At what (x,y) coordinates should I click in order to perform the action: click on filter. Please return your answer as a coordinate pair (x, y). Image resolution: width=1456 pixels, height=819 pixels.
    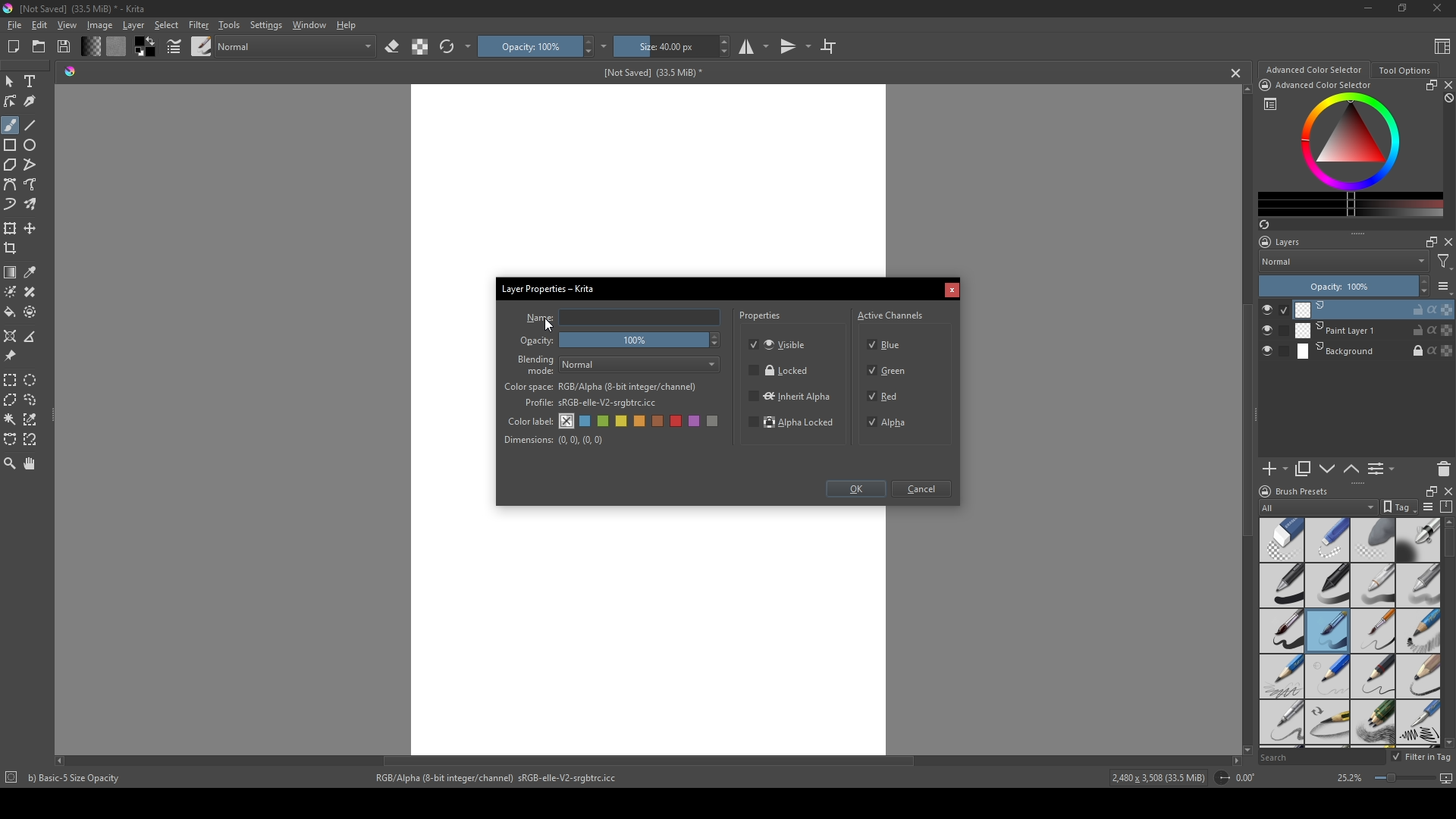
    Looking at the image, I should click on (1444, 262).